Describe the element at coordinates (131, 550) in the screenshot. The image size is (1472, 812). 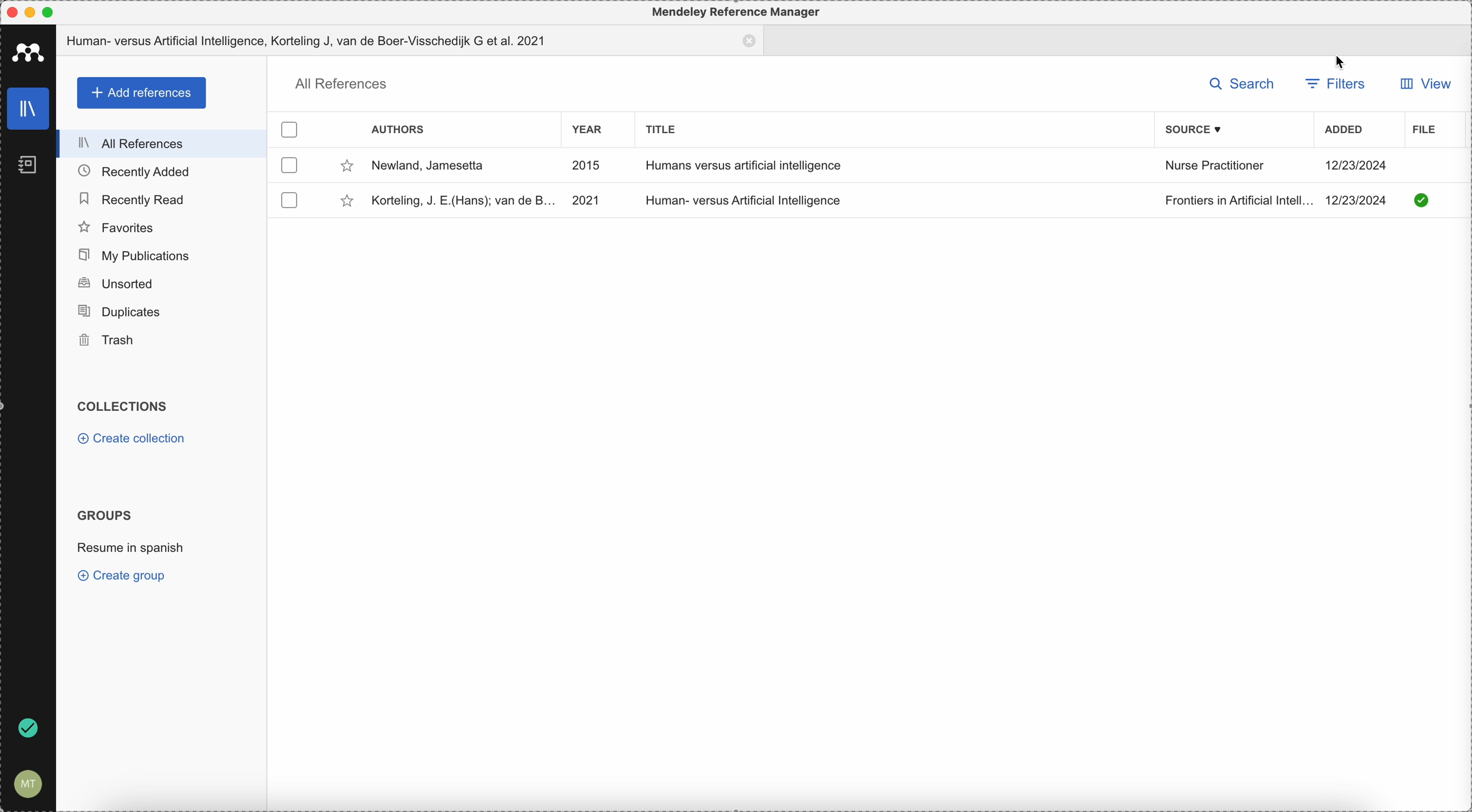
I see `resume in spanish group` at that location.